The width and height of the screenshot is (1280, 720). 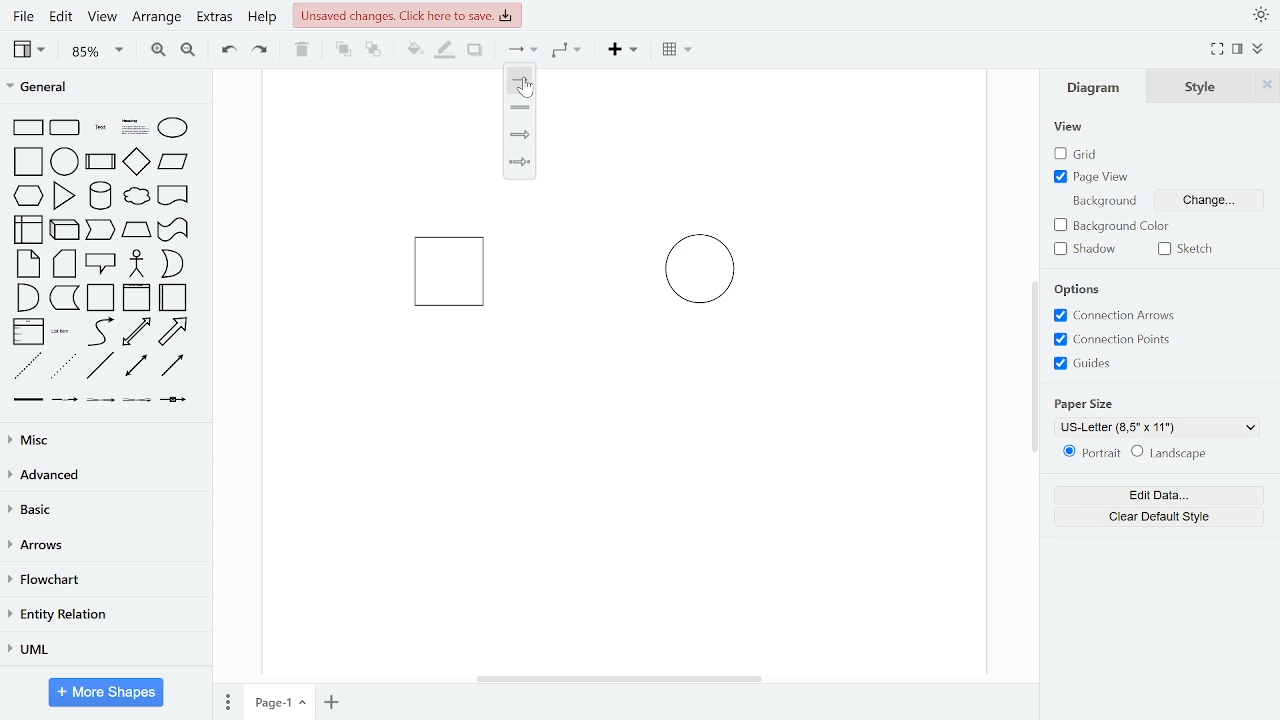 What do you see at coordinates (102, 616) in the screenshot?
I see `entity relation` at bounding box center [102, 616].